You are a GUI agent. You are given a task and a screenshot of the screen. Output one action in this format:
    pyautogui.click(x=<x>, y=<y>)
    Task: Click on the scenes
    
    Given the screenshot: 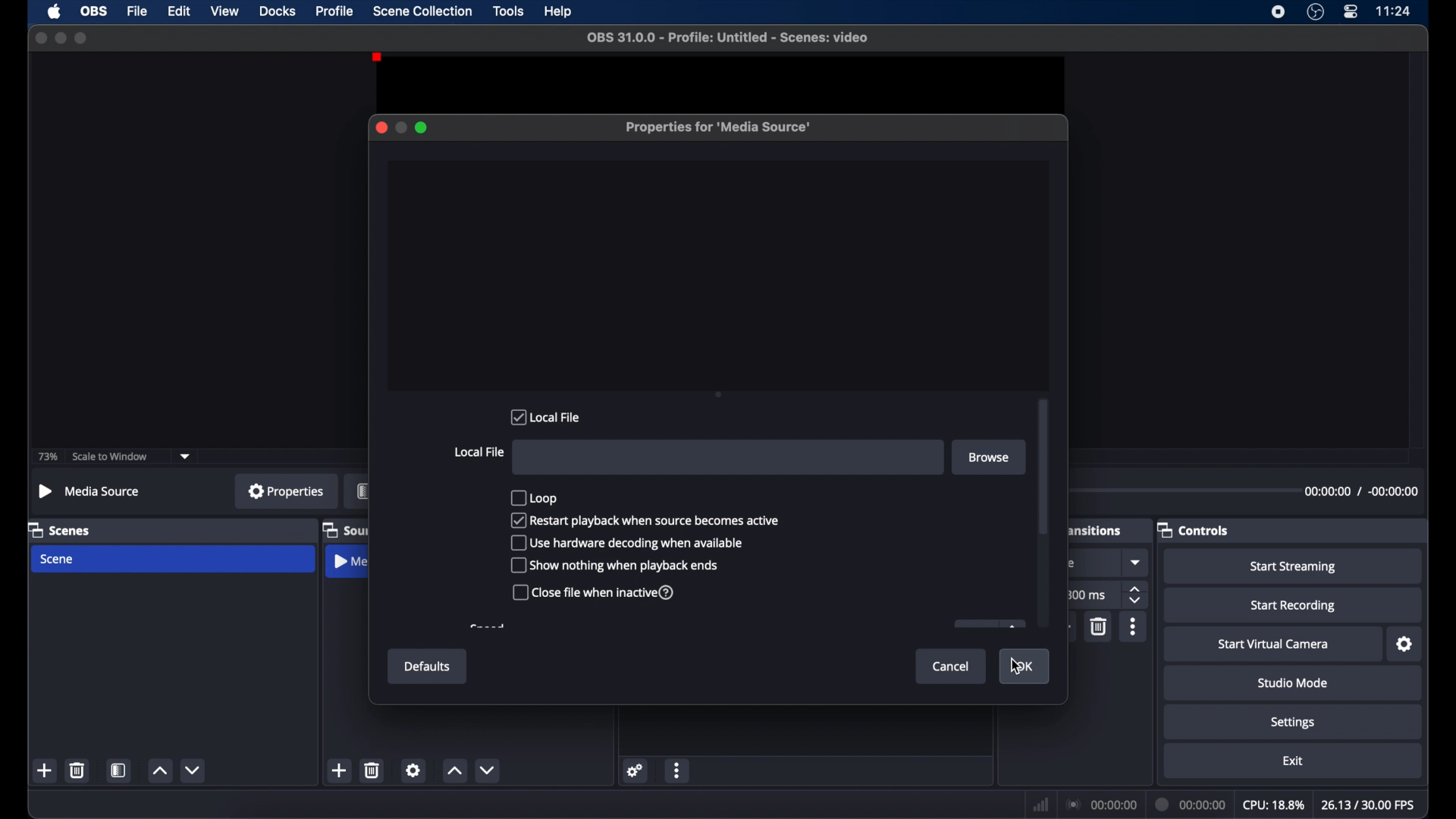 What is the action you would take?
    pyautogui.click(x=61, y=529)
    